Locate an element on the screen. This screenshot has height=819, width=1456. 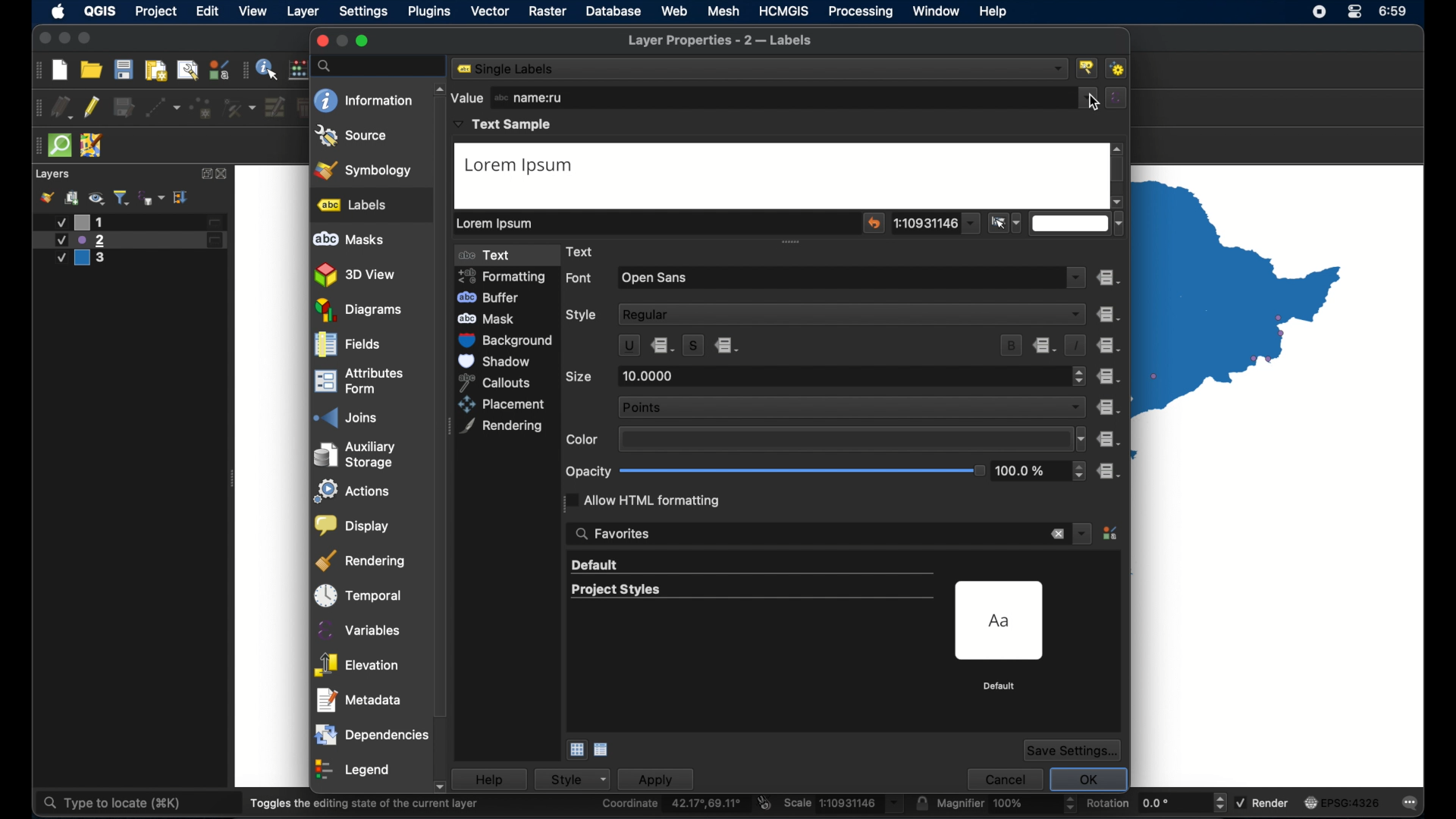
window is located at coordinates (937, 12).